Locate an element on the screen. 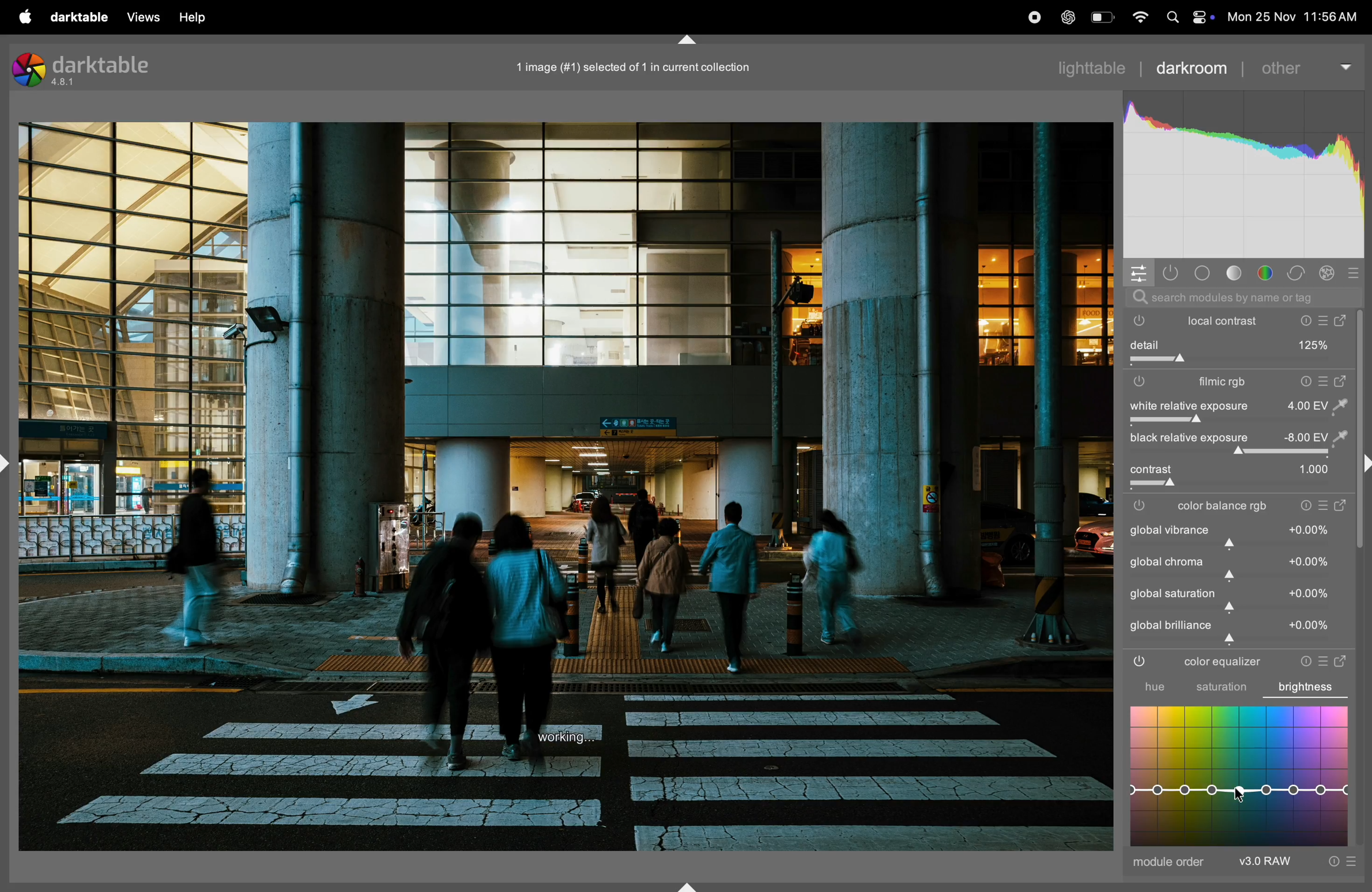 This screenshot has height=892, width=1372. open window is located at coordinates (1343, 381).